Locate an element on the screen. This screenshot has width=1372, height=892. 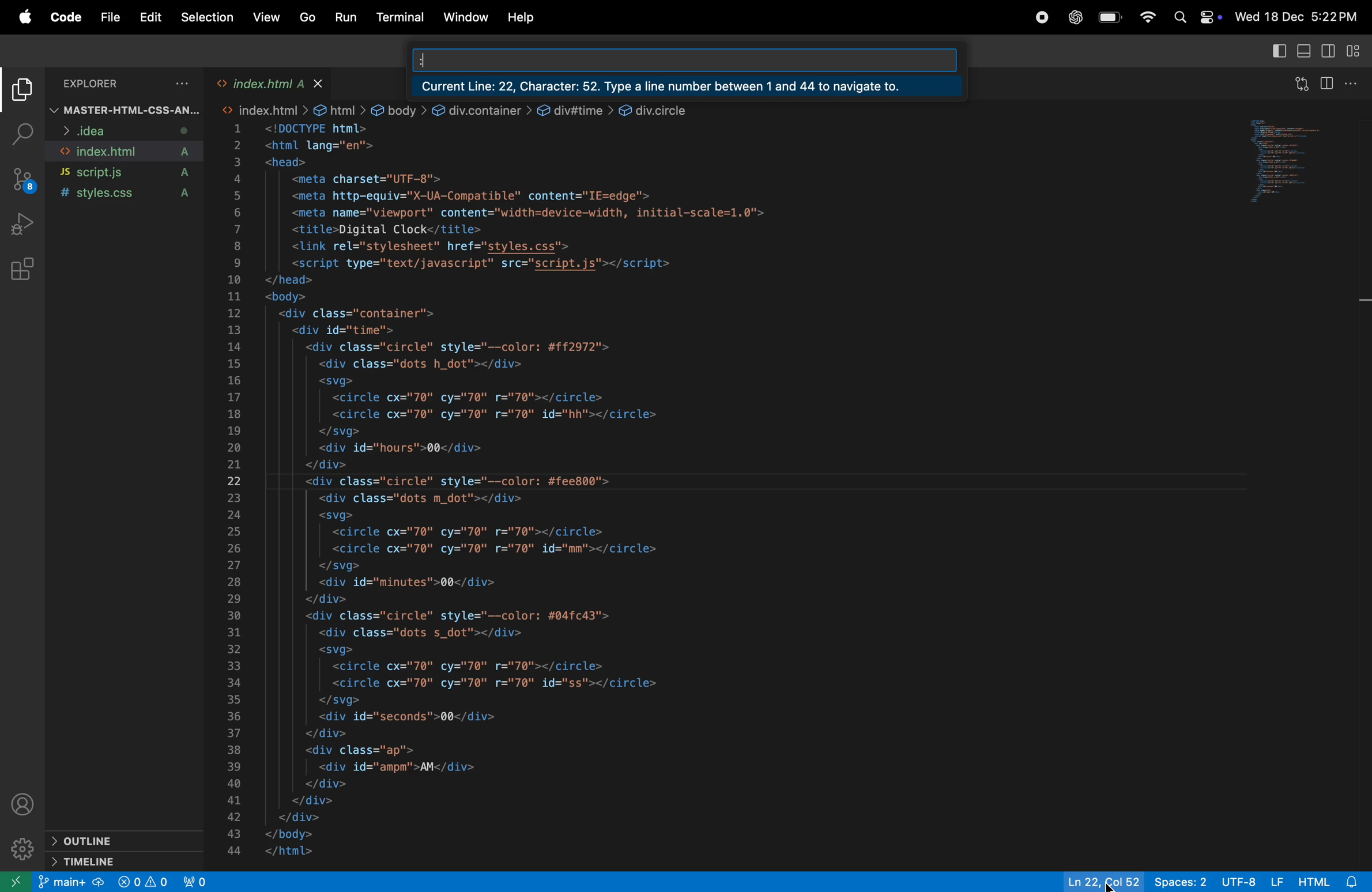
explorer is located at coordinates (129, 85).